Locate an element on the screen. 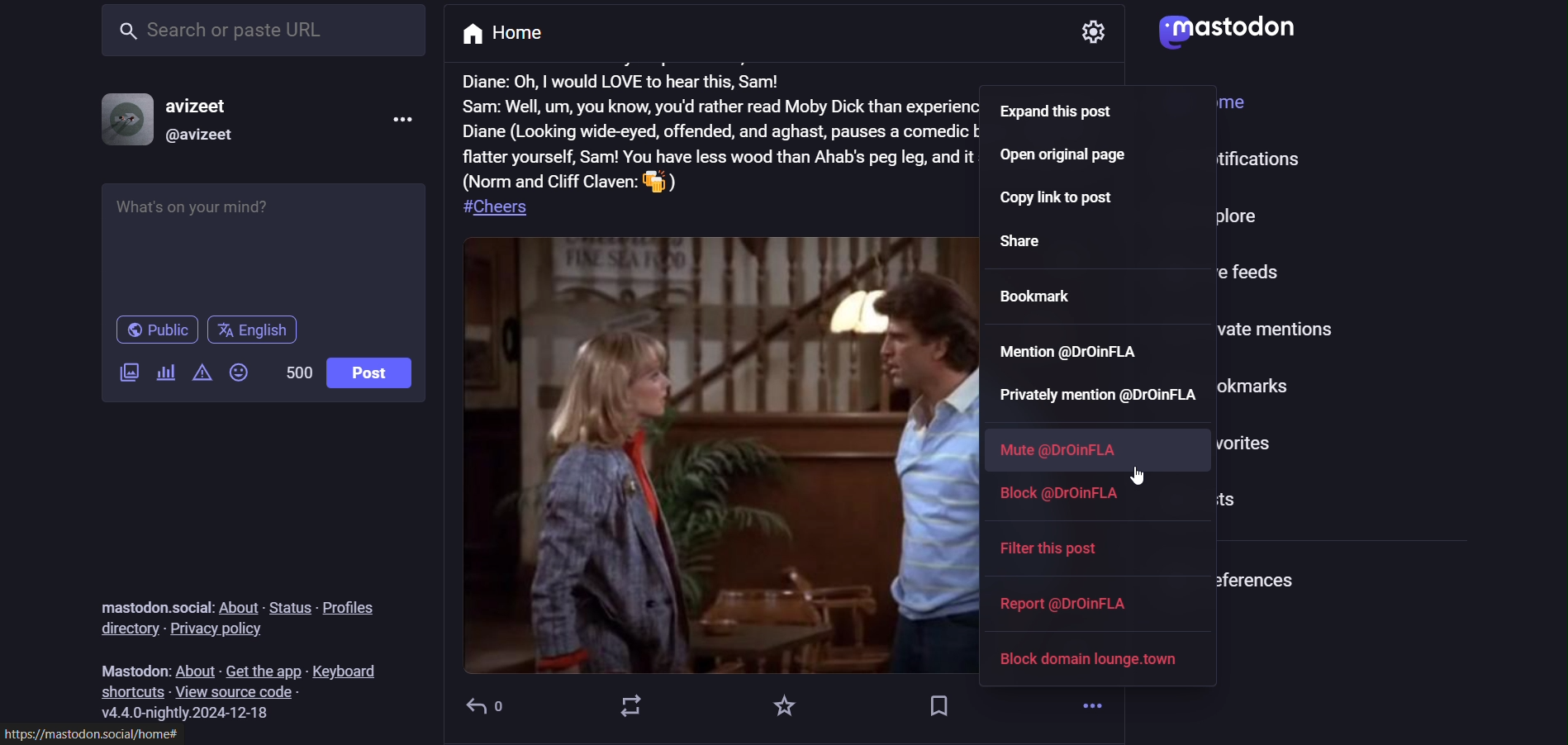 The height and width of the screenshot is (745, 1568). content warning is located at coordinates (201, 373).